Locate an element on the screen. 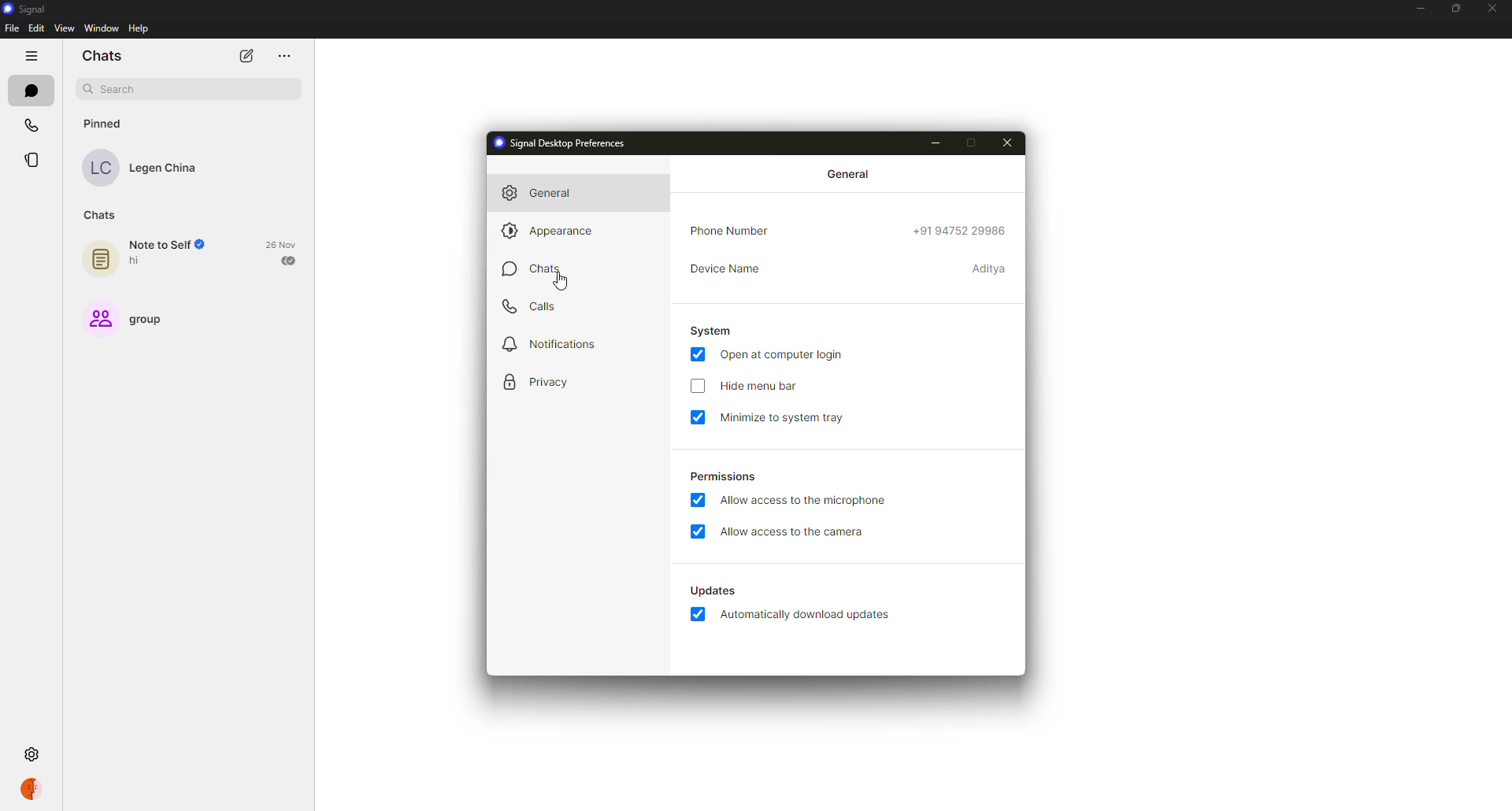  edit is located at coordinates (36, 28).